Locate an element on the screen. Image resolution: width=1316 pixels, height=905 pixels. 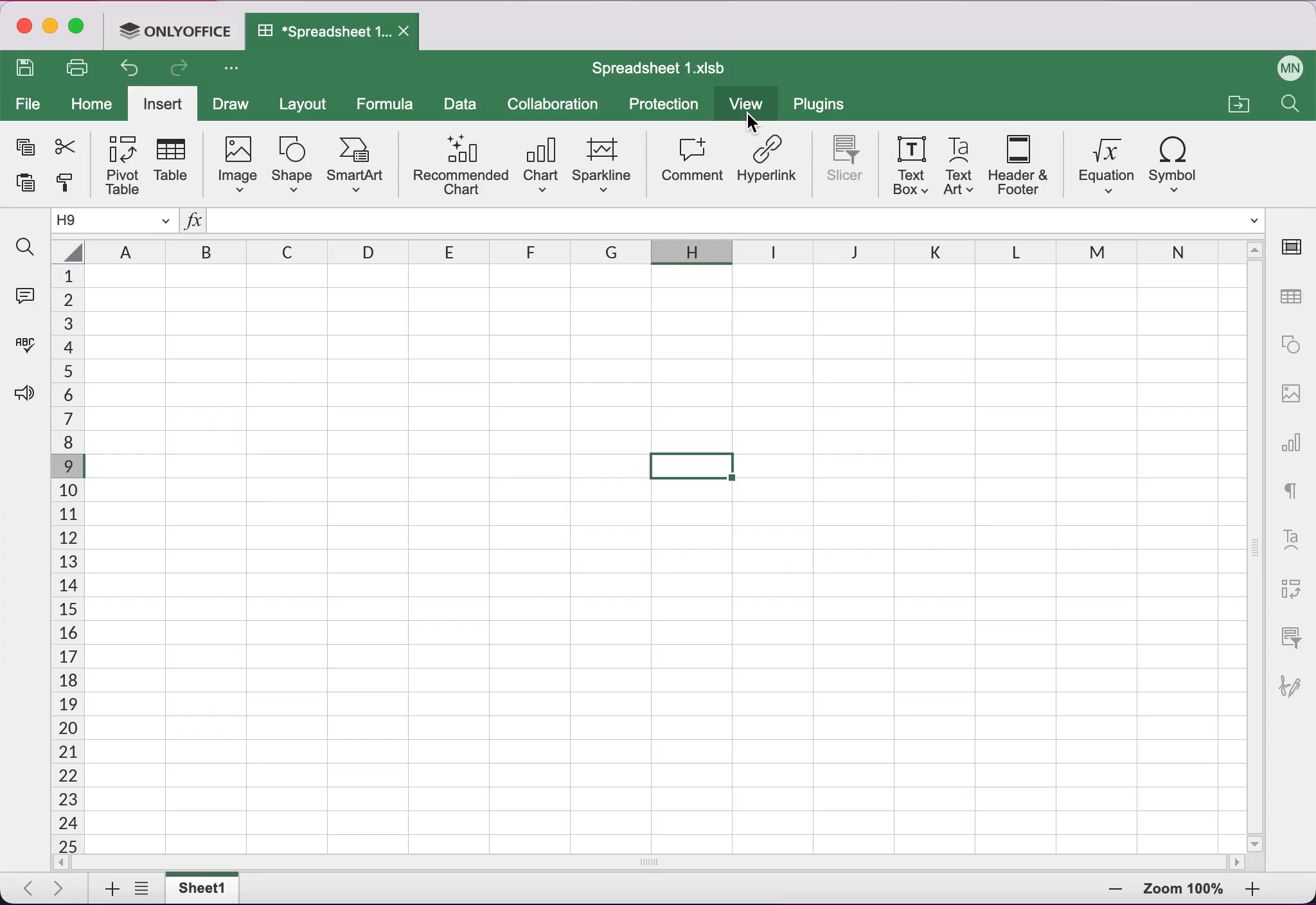
close is located at coordinates (24, 26).